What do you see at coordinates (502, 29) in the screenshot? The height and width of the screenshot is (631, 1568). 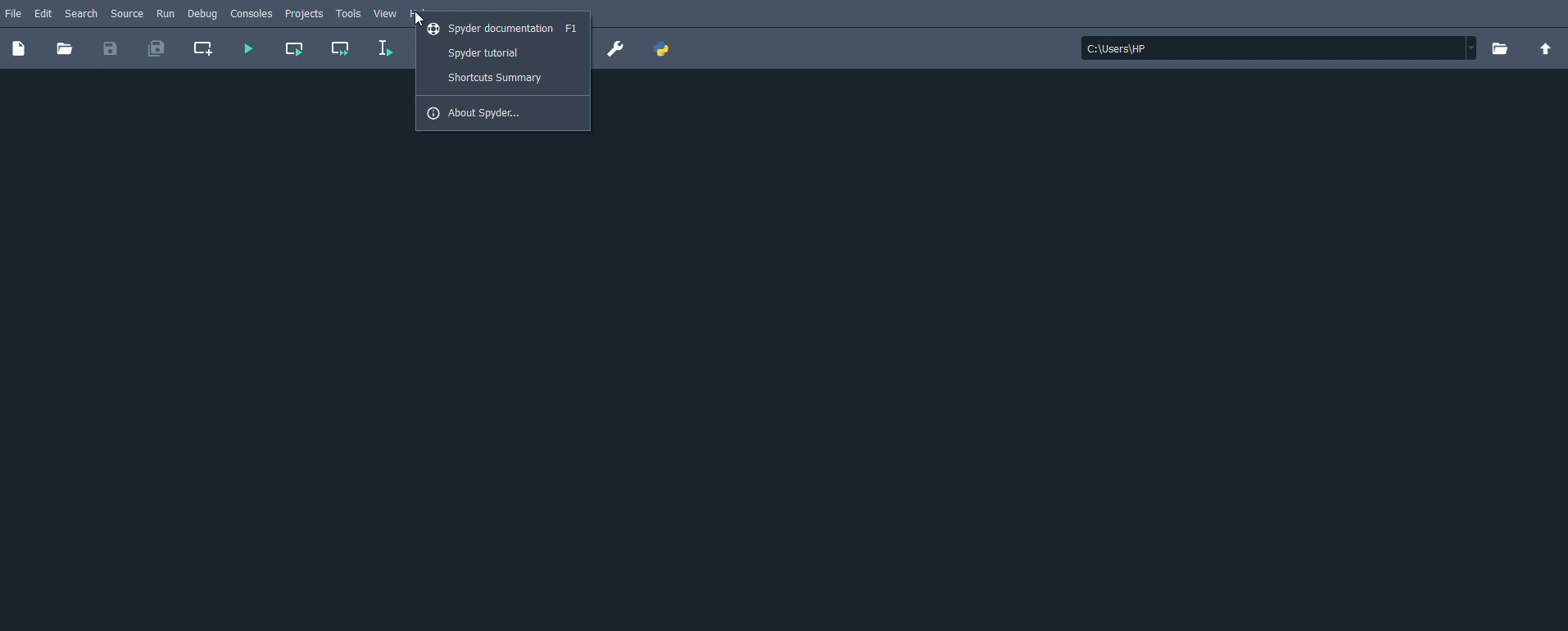 I see `Spyder documentation` at bounding box center [502, 29].